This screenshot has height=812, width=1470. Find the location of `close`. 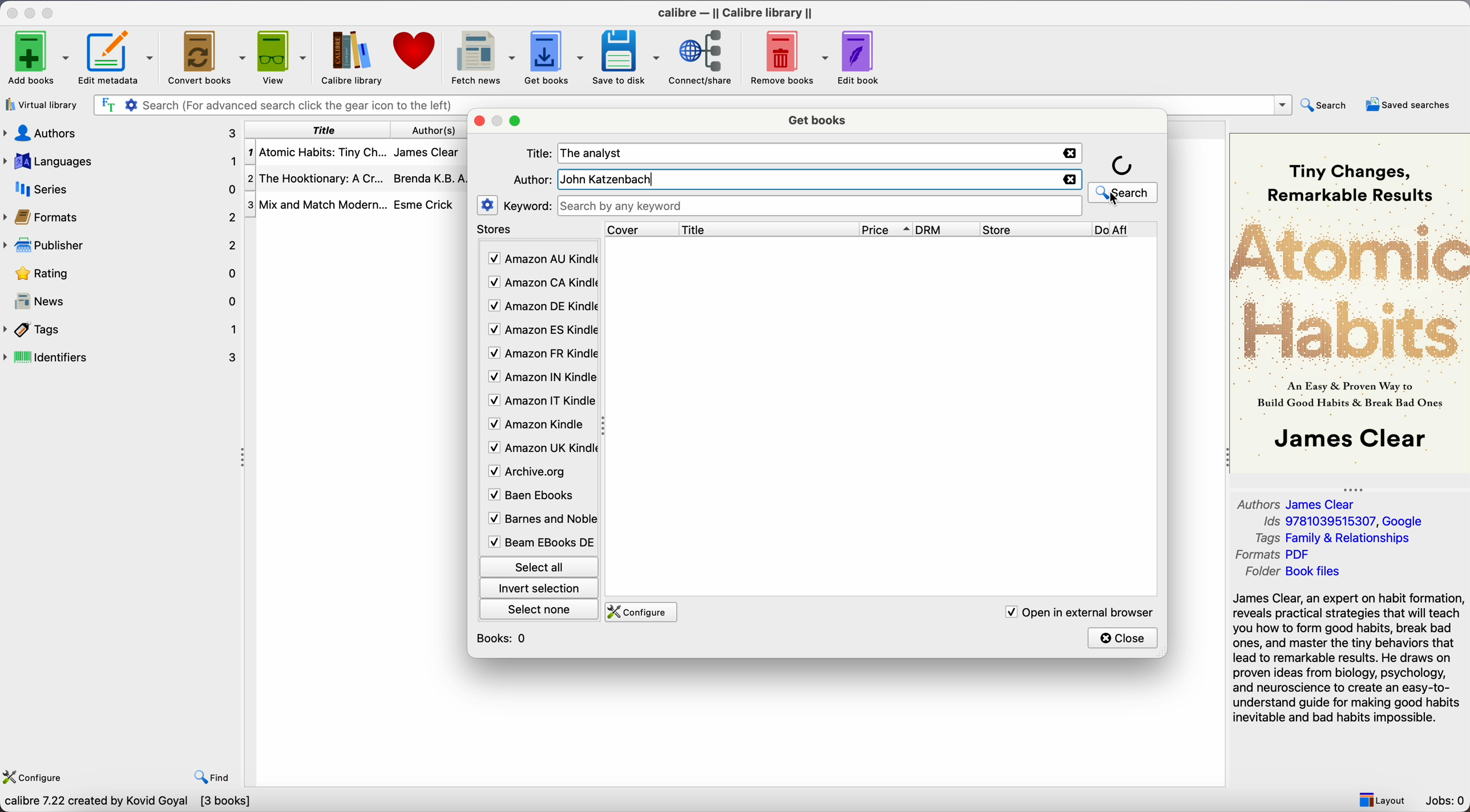

close is located at coordinates (480, 122).